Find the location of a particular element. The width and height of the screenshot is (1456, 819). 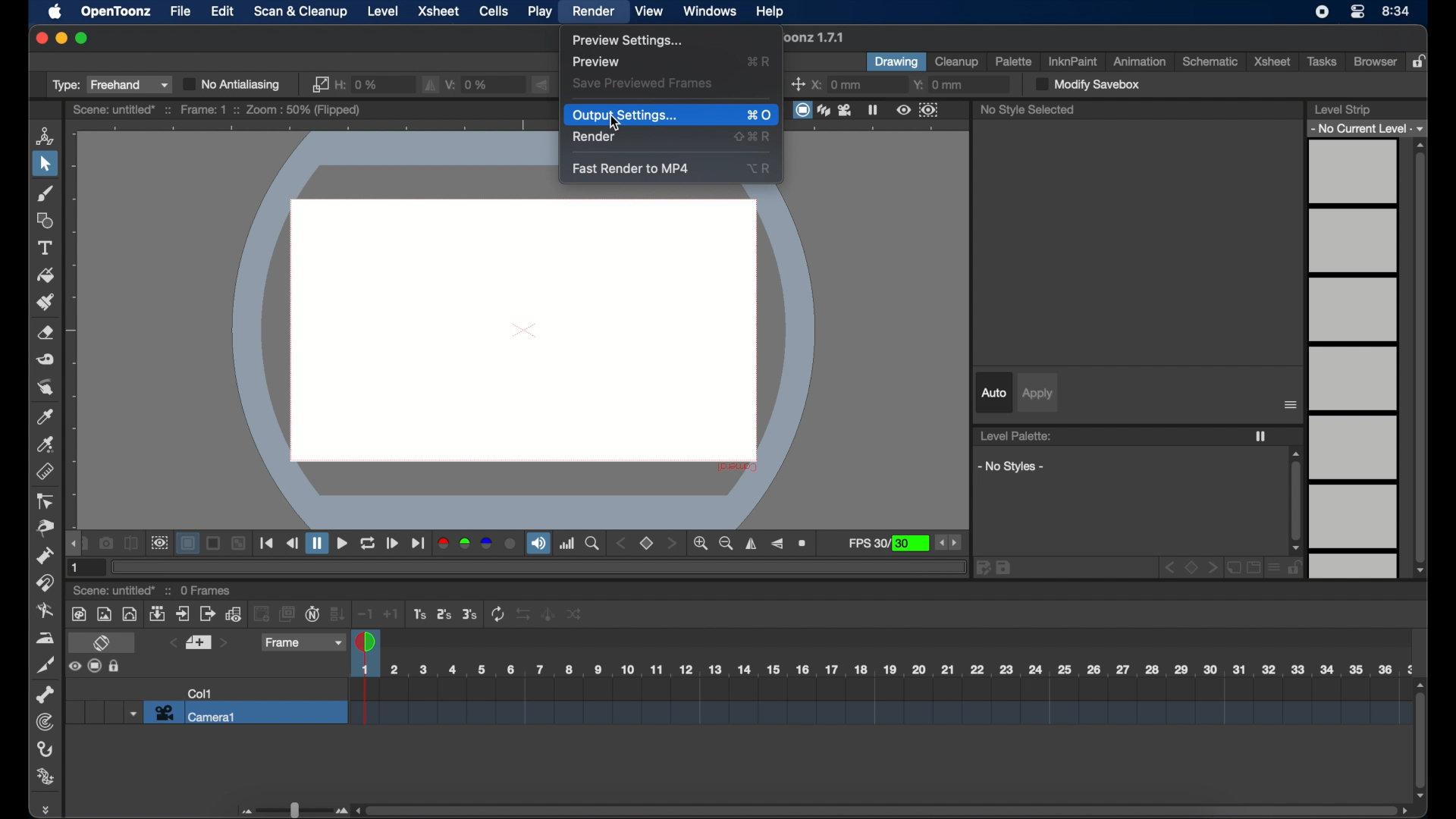

 is located at coordinates (116, 667).